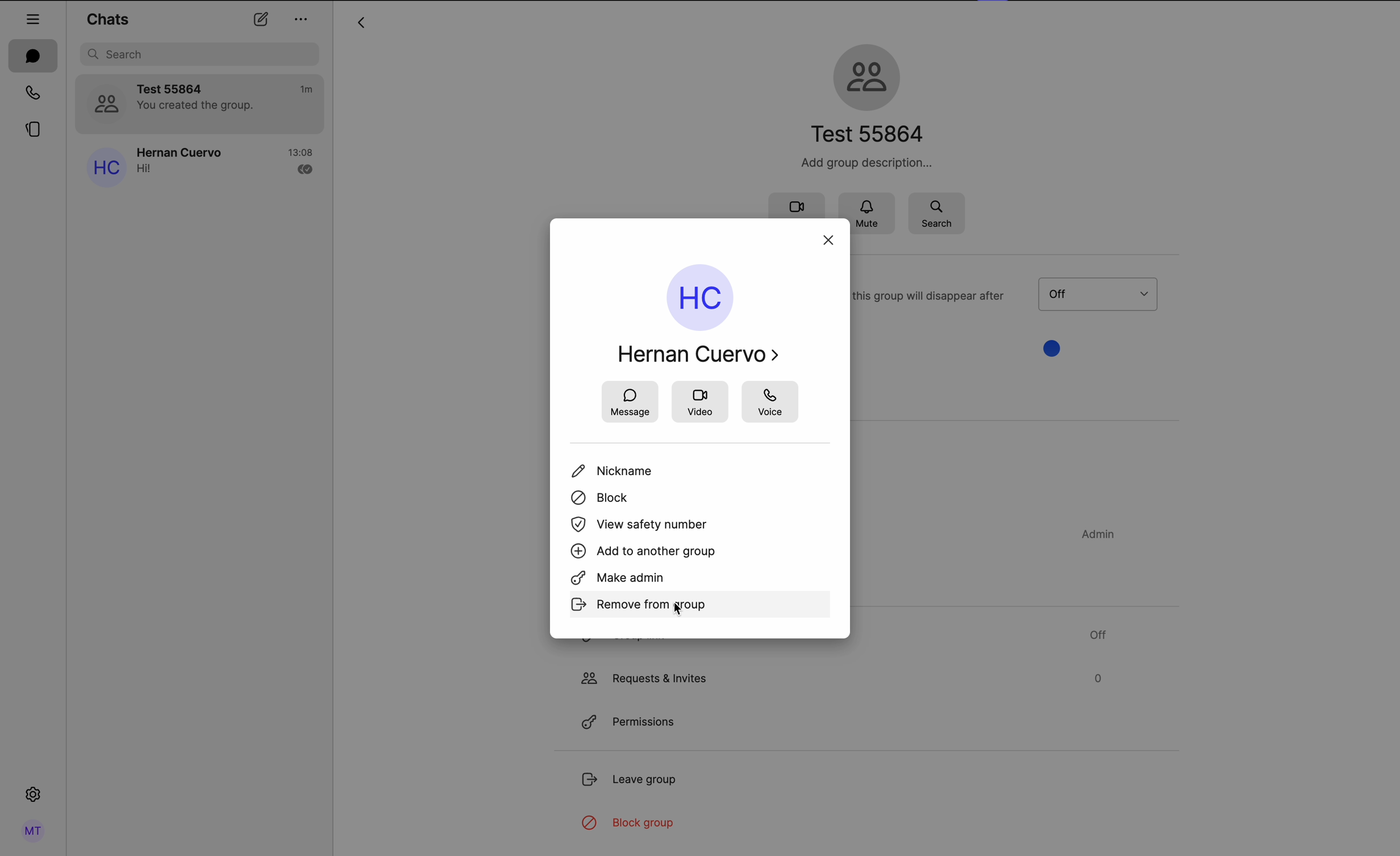 This screenshot has width=1400, height=856. Describe the element at coordinates (632, 782) in the screenshot. I see `leave group` at that location.